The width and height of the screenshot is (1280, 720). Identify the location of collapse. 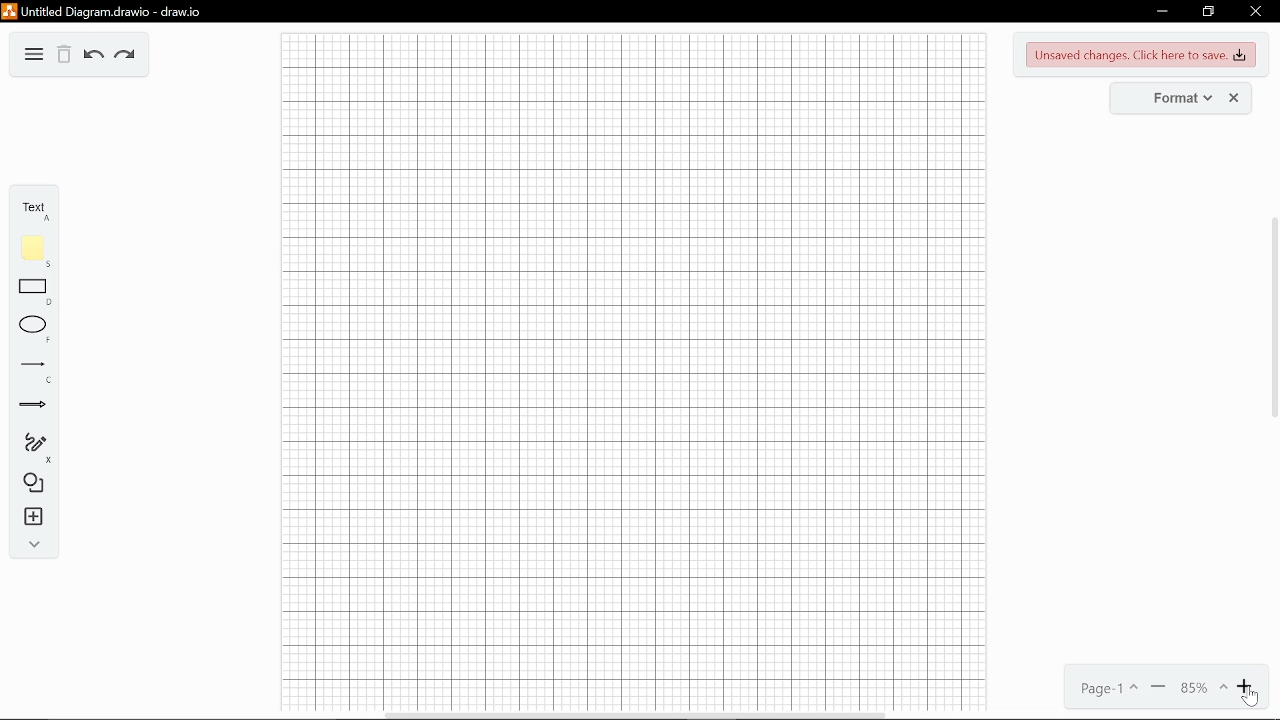
(27, 545).